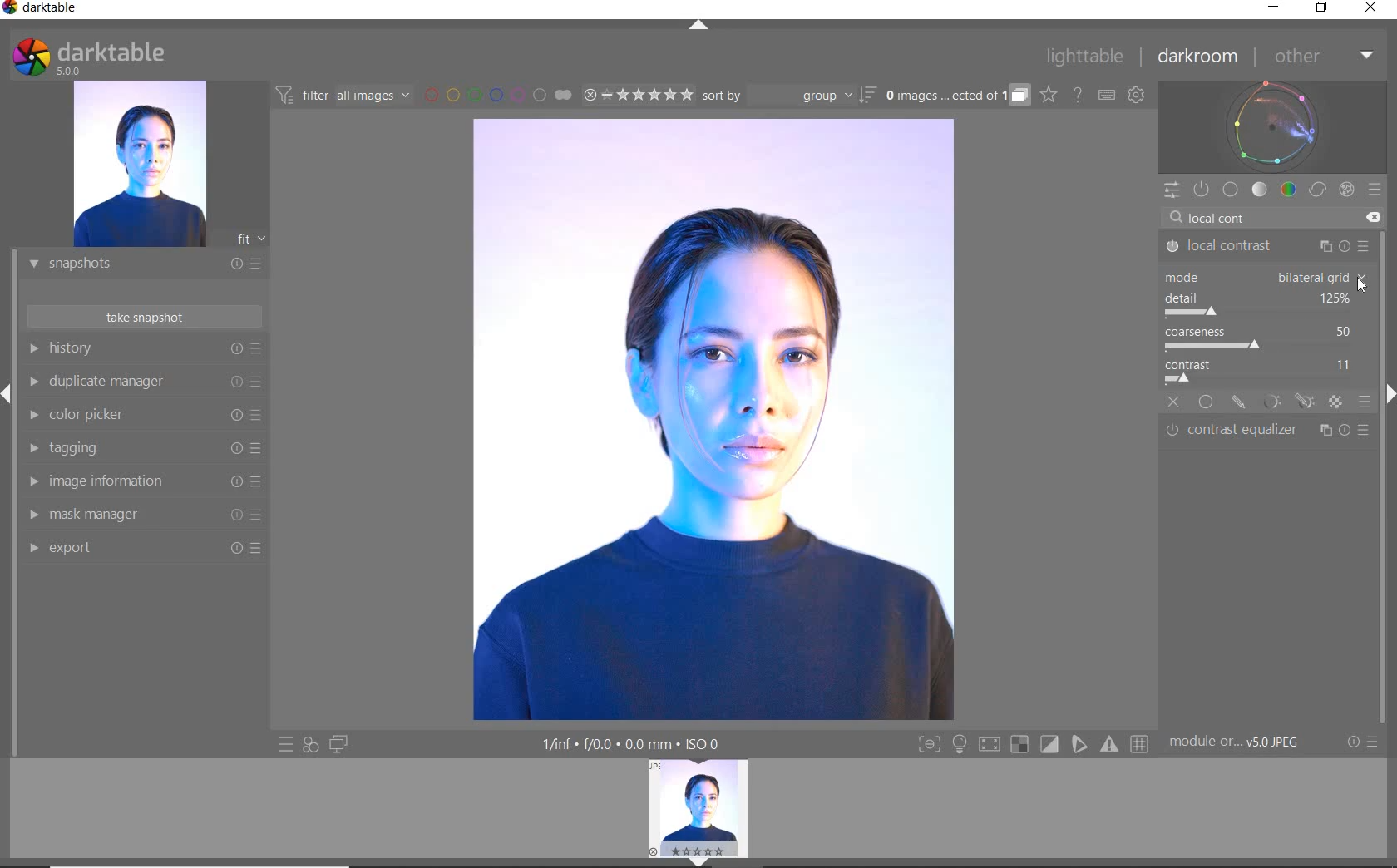  Describe the element at coordinates (1261, 306) in the screenshot. I see `detail` at that location.